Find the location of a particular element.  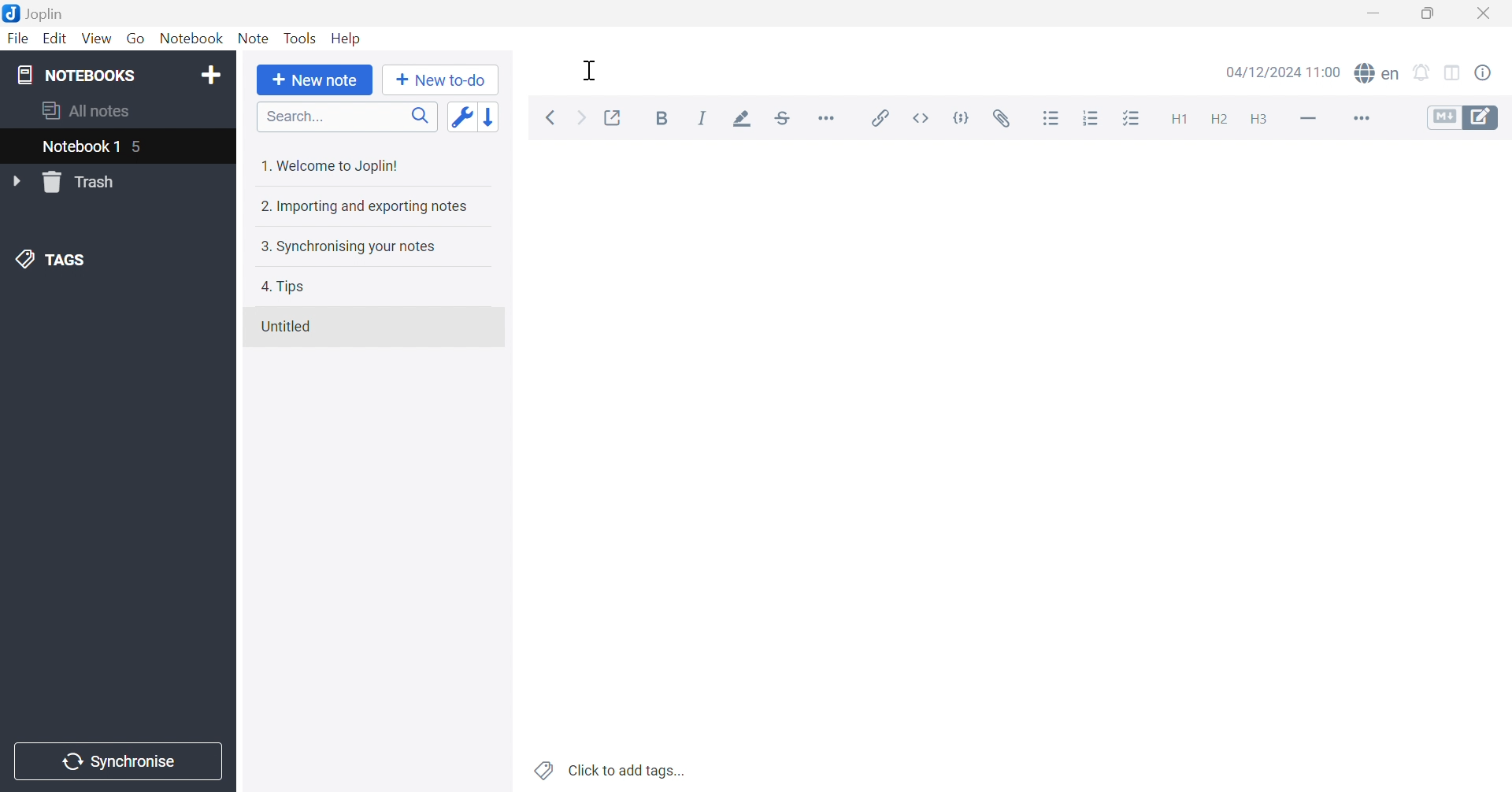

Close is located at coordinates (1487, 14).